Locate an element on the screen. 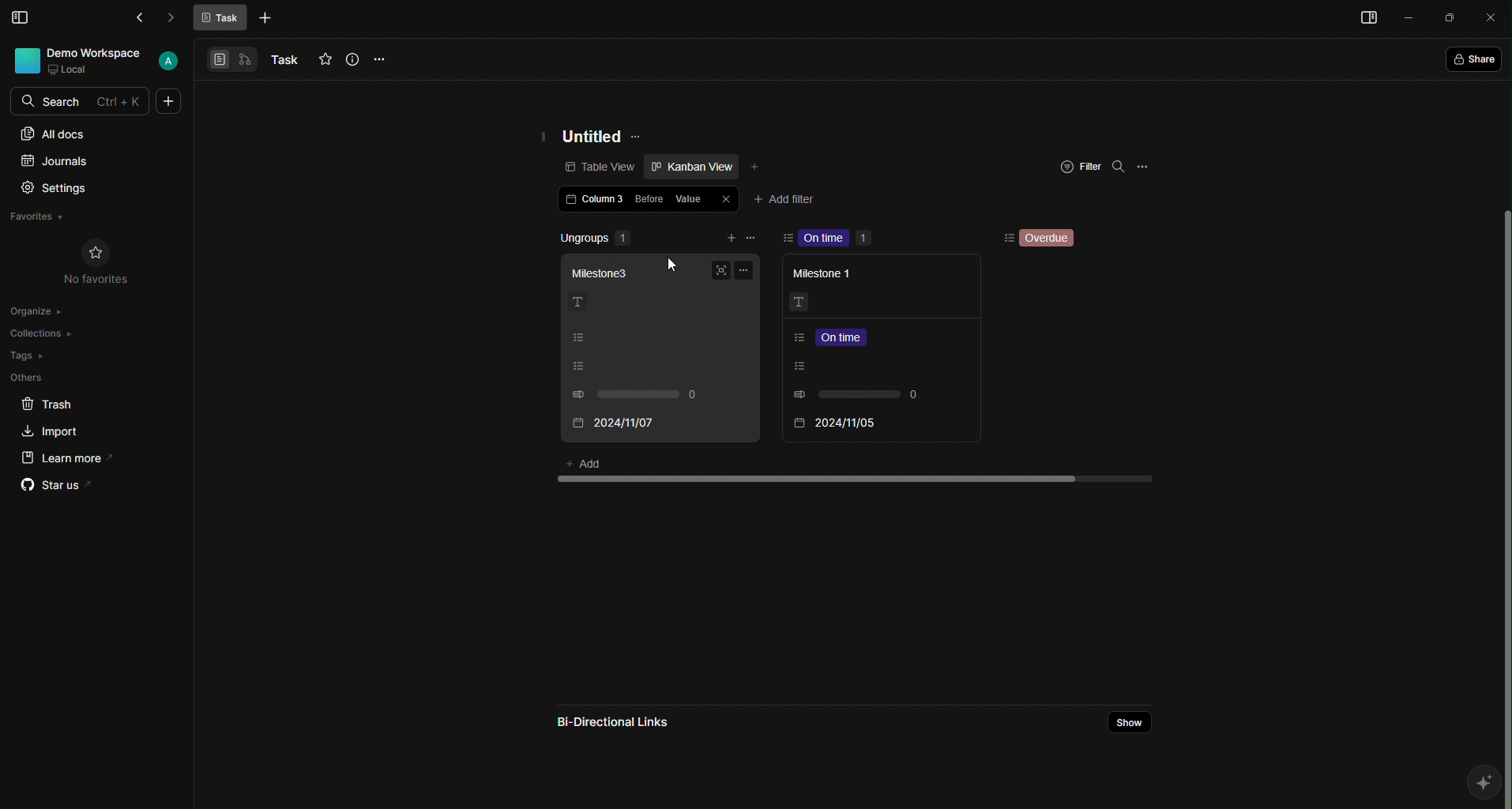  Organize is located at coordinates (41, 310).